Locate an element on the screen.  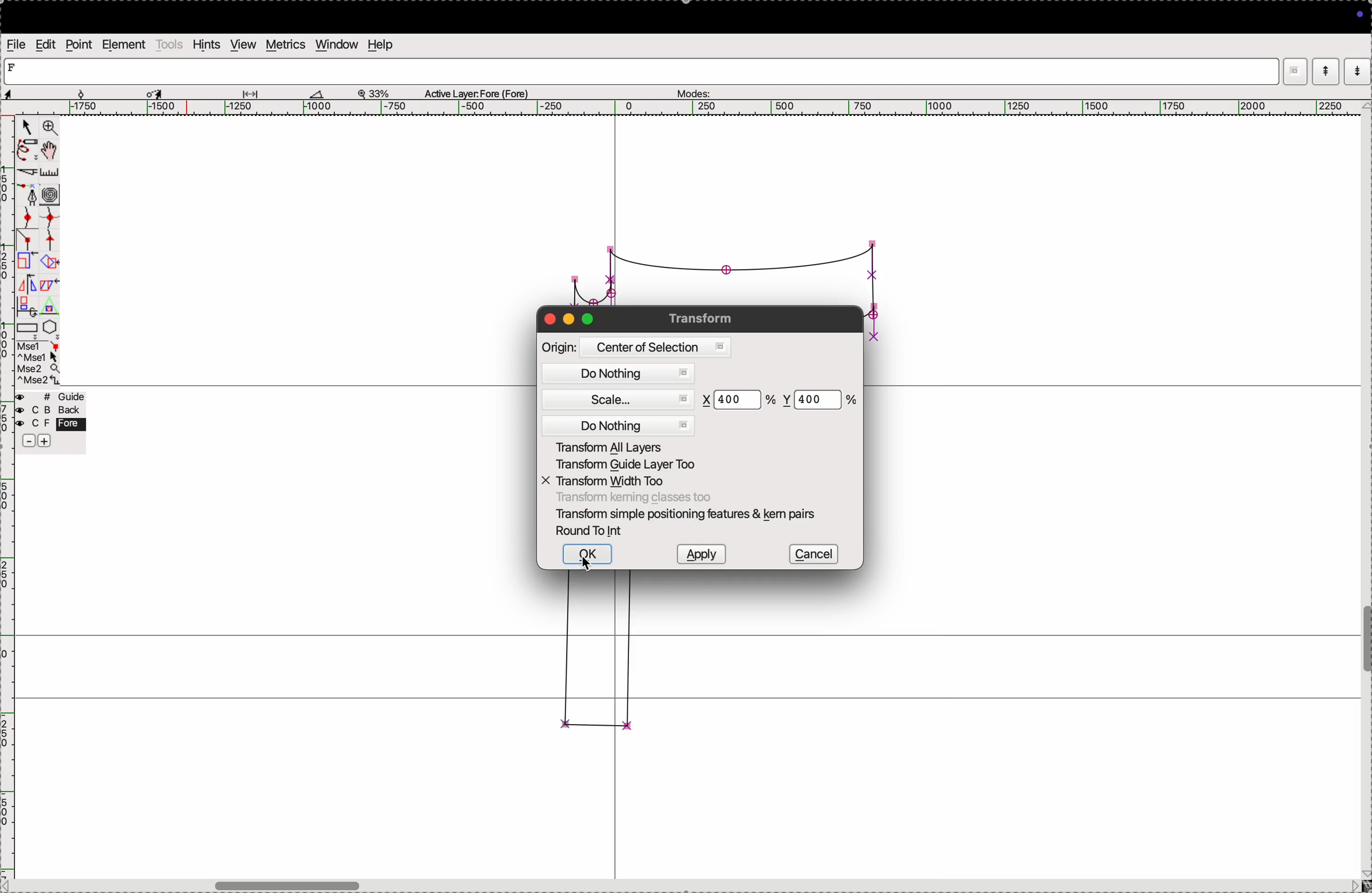
blacj is located at coordinates (47, 411).